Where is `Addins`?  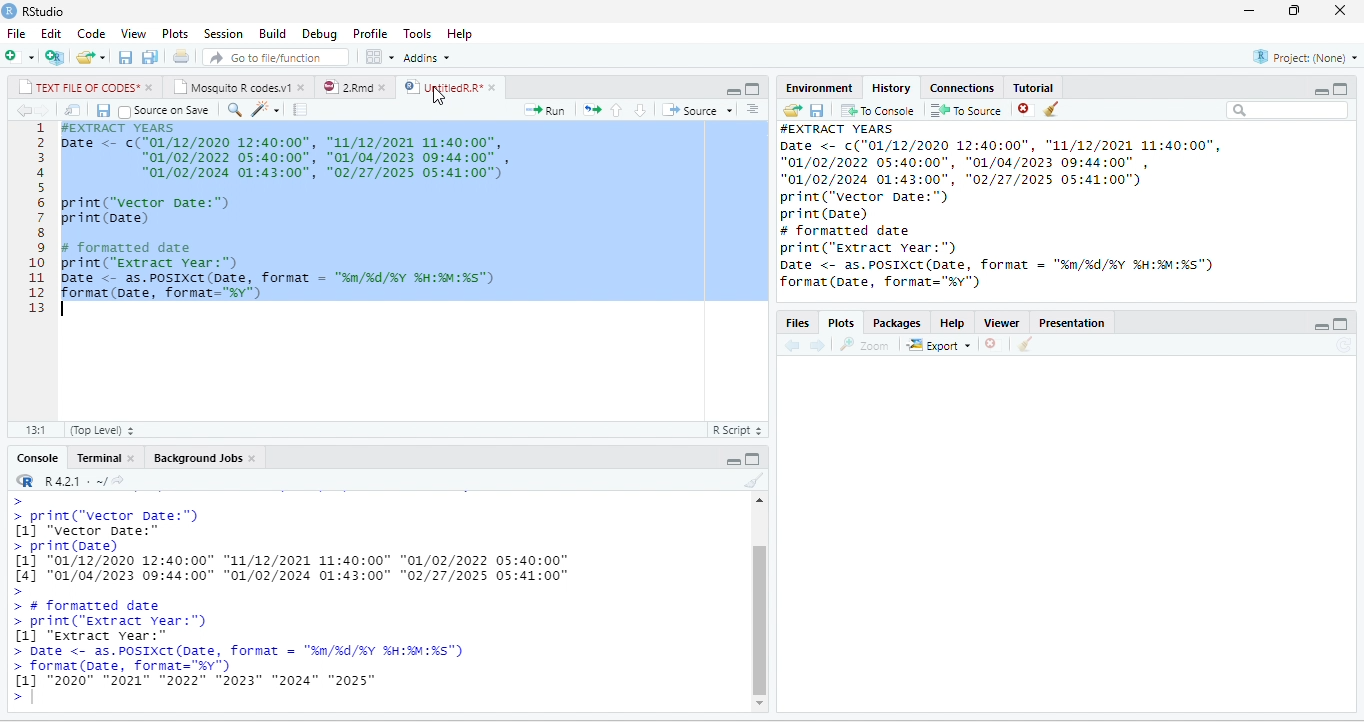 Addins is located at coordinates (428, 57).